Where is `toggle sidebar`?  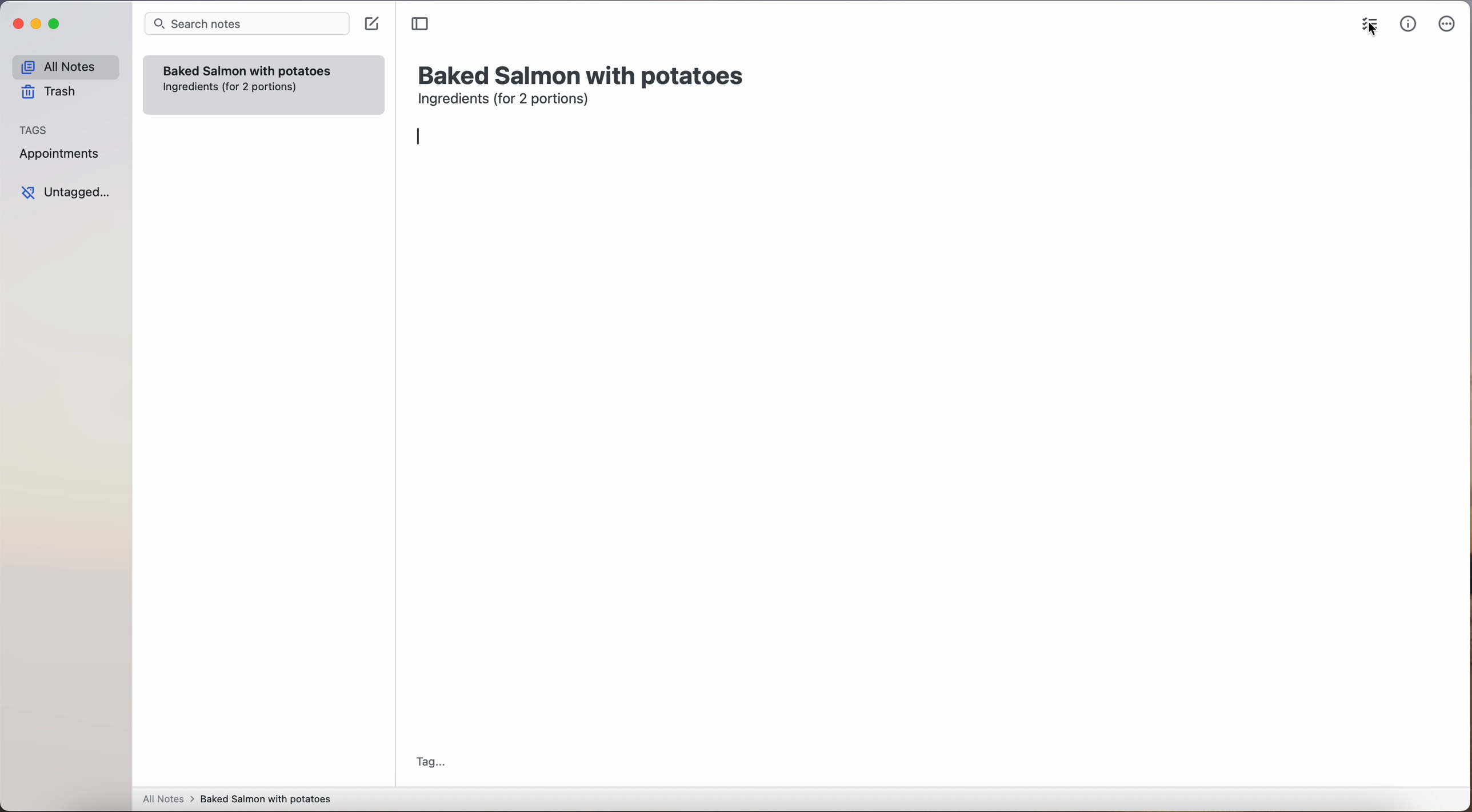 toggle sidebar is located at coordinates (421, 25).